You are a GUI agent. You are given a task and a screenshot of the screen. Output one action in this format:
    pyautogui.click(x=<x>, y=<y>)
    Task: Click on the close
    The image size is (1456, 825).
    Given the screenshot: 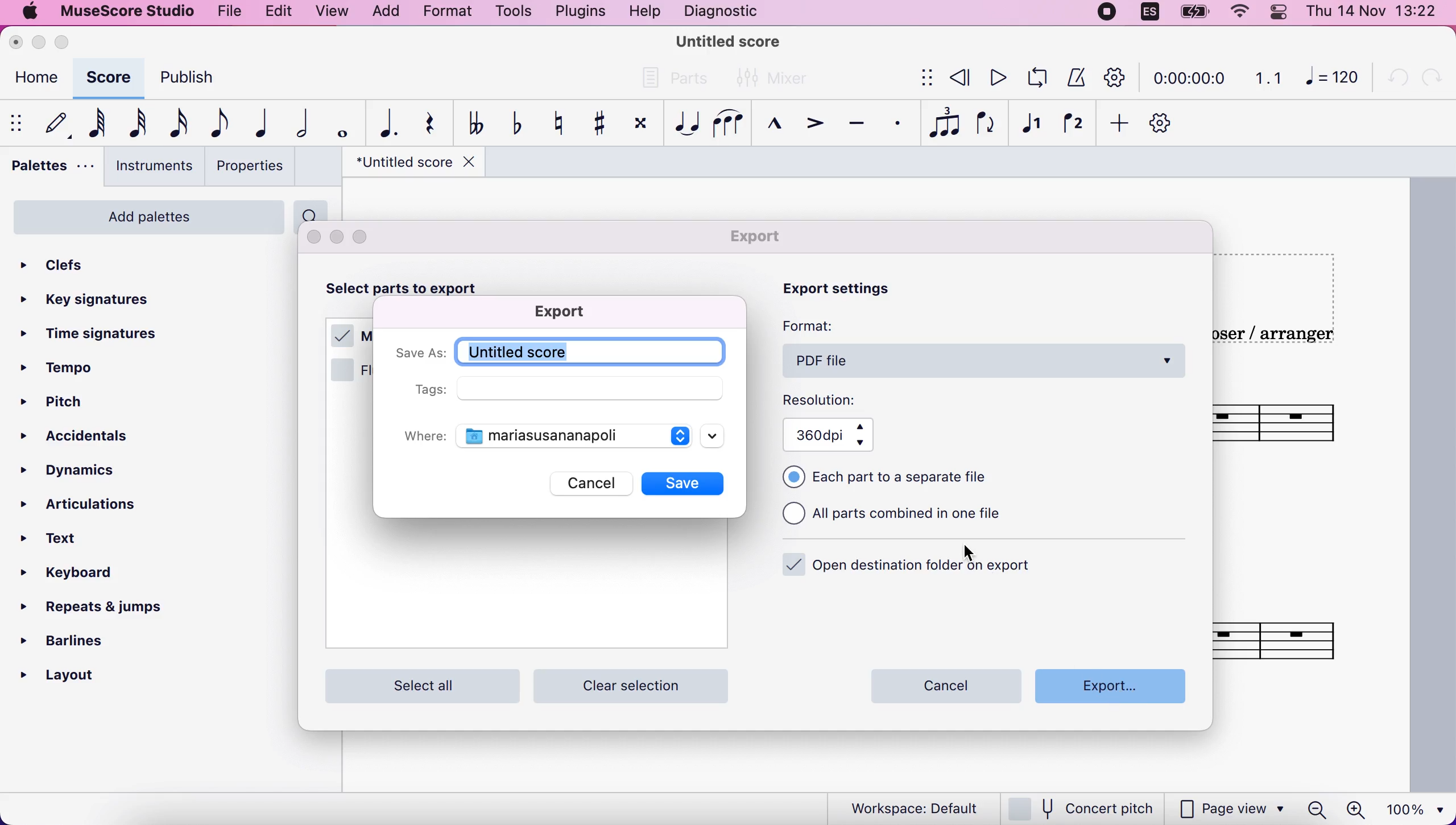 What is the action you would take?
    pyautogui.click(x=18, y=43)
    